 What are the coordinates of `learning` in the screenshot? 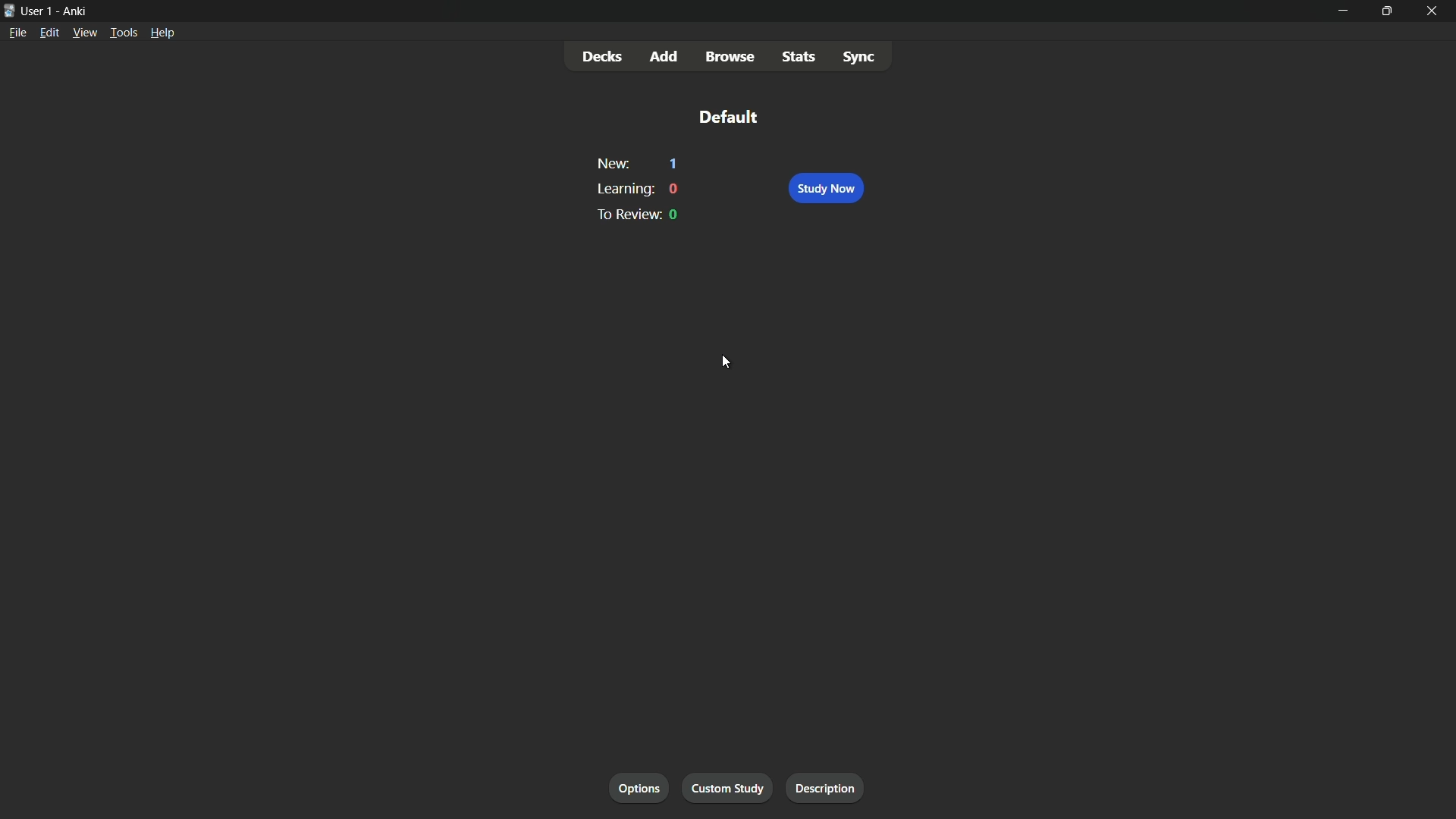 It's located at (621, 189).